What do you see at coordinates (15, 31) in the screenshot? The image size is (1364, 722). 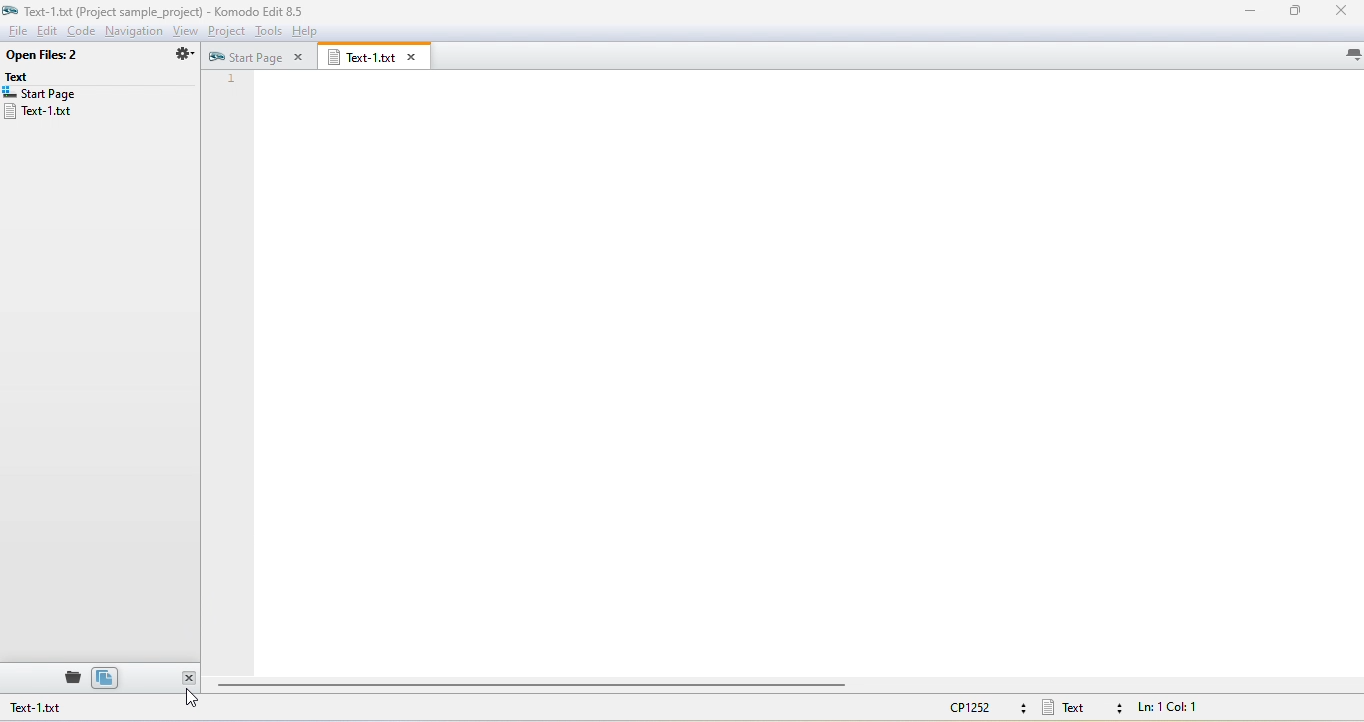 I see `file` at bounding box center [15, 31].